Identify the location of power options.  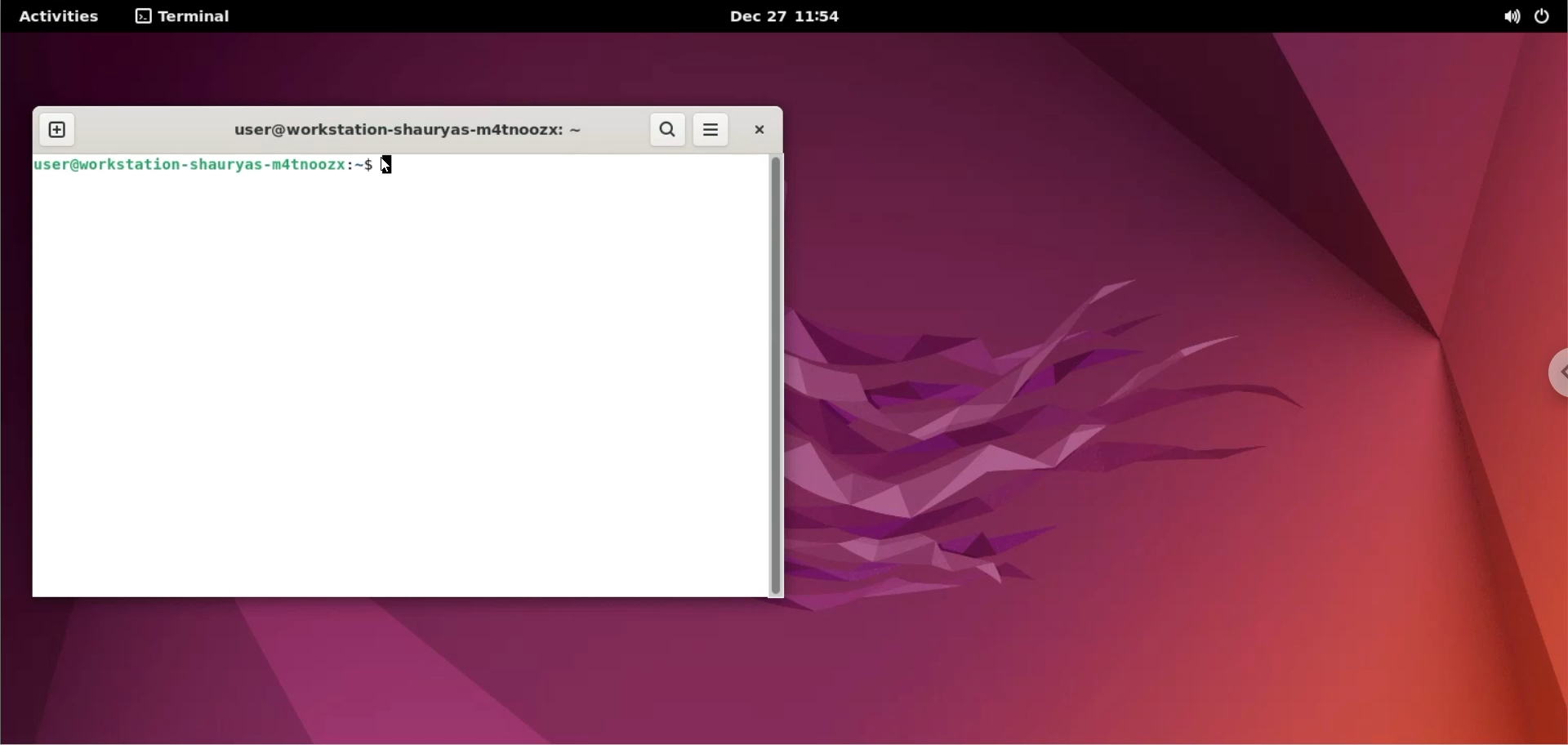
(1545, 15).